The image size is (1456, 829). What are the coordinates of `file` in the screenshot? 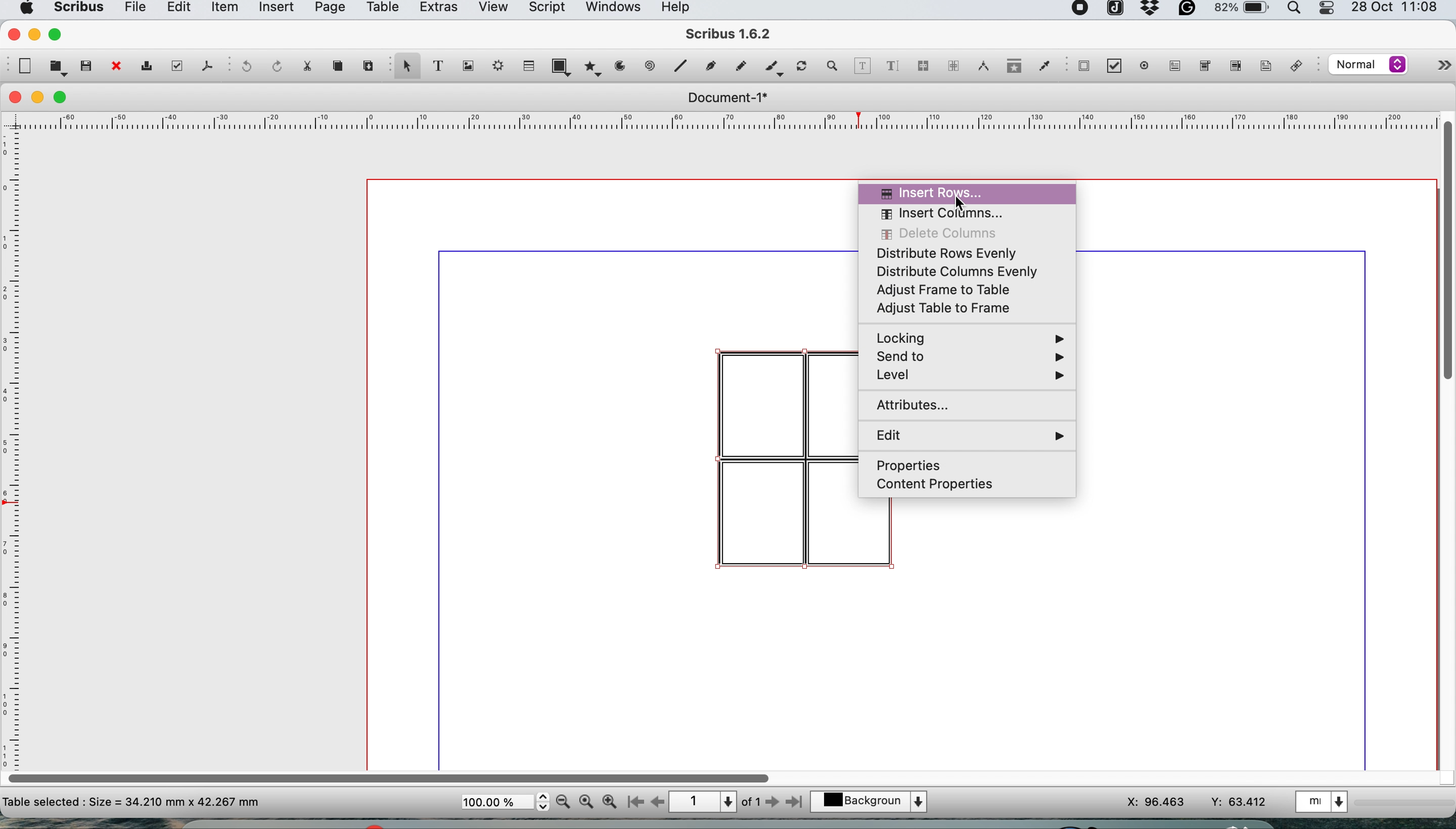 It's located at (133, 10).